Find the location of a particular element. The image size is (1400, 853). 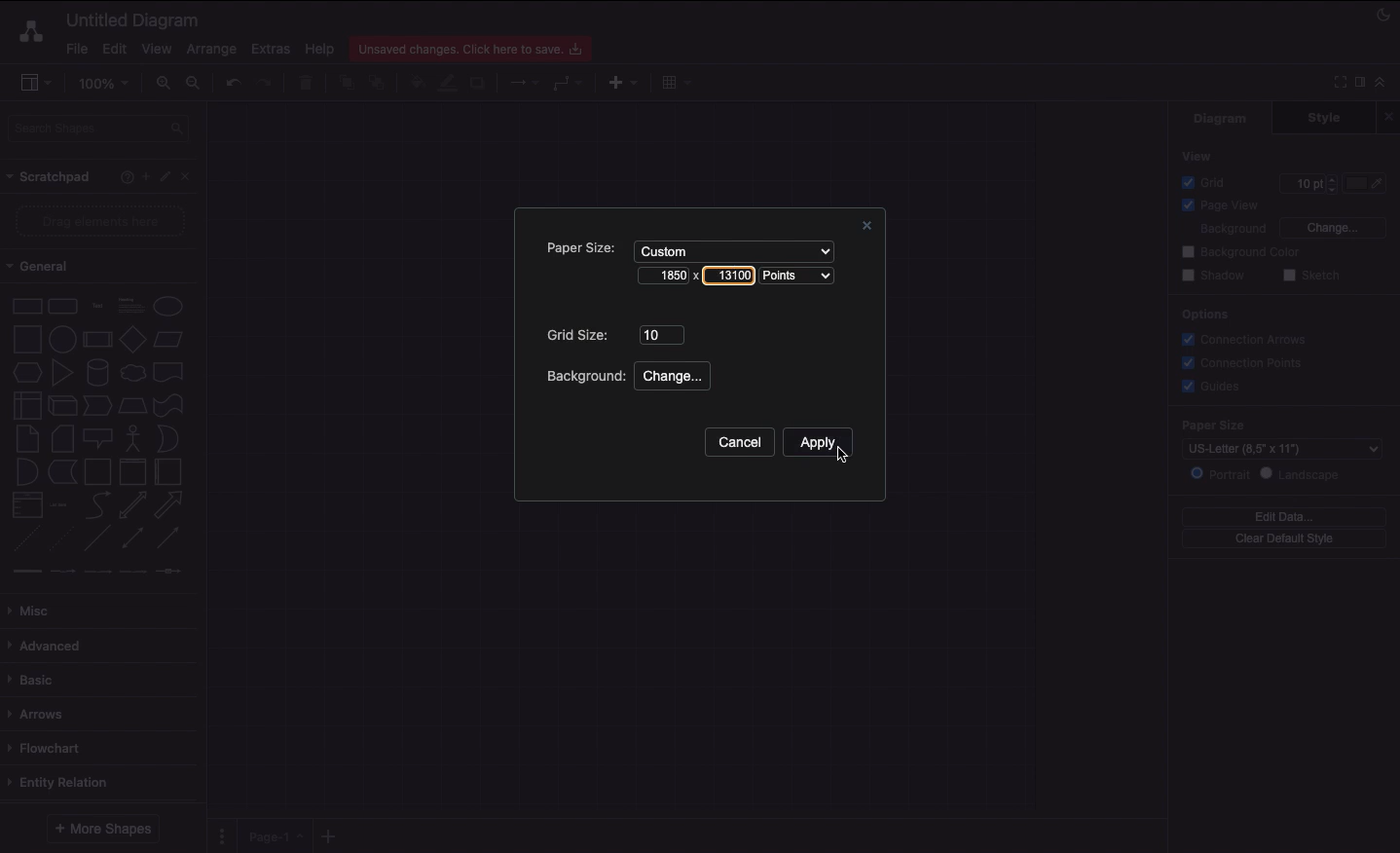

Color is located at coordinates (1367, 183).